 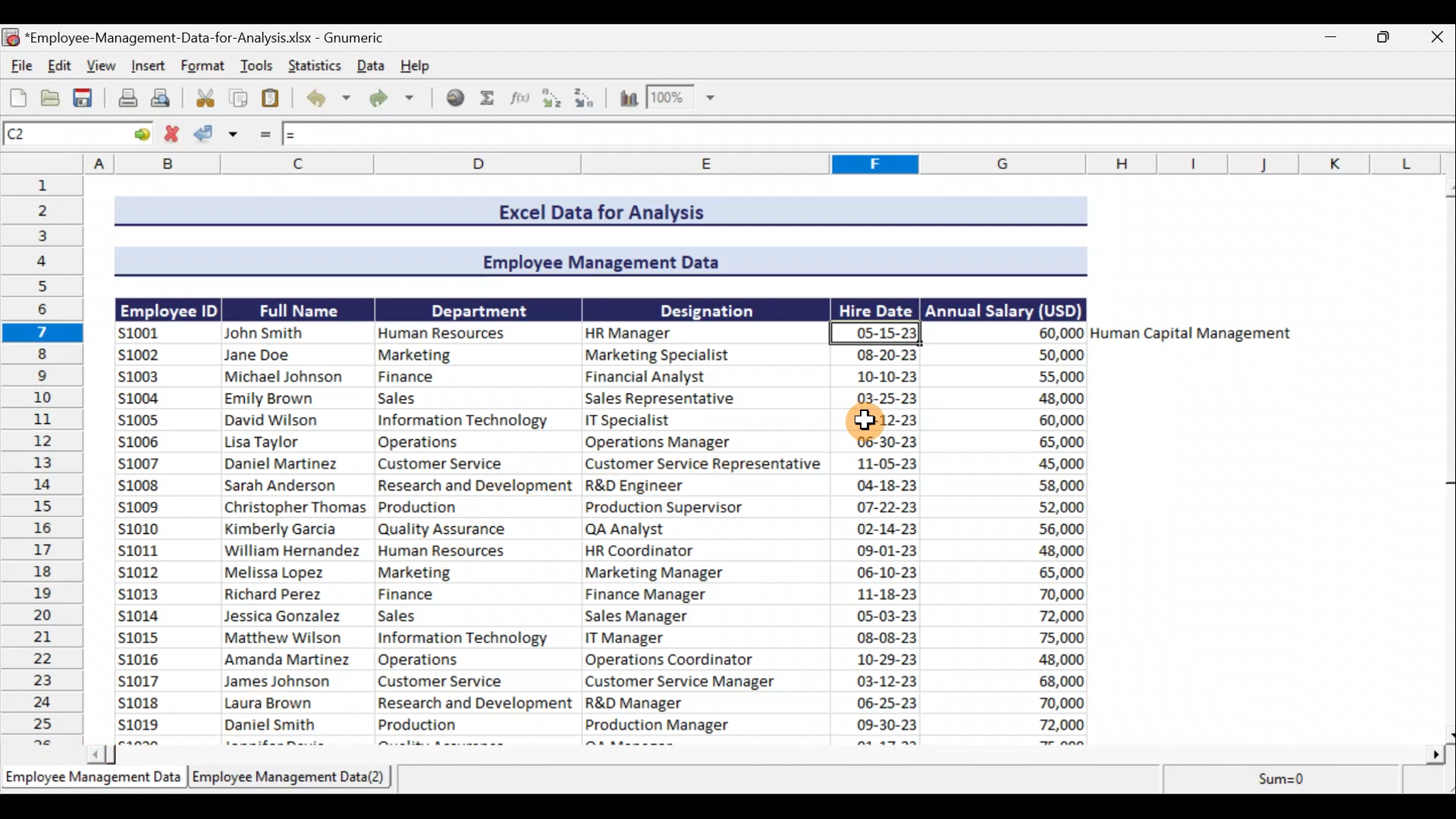 What do you see at coordinates (325, 100) in the screenshot?
I see `Undo last action` at bounding box center [325, 100].